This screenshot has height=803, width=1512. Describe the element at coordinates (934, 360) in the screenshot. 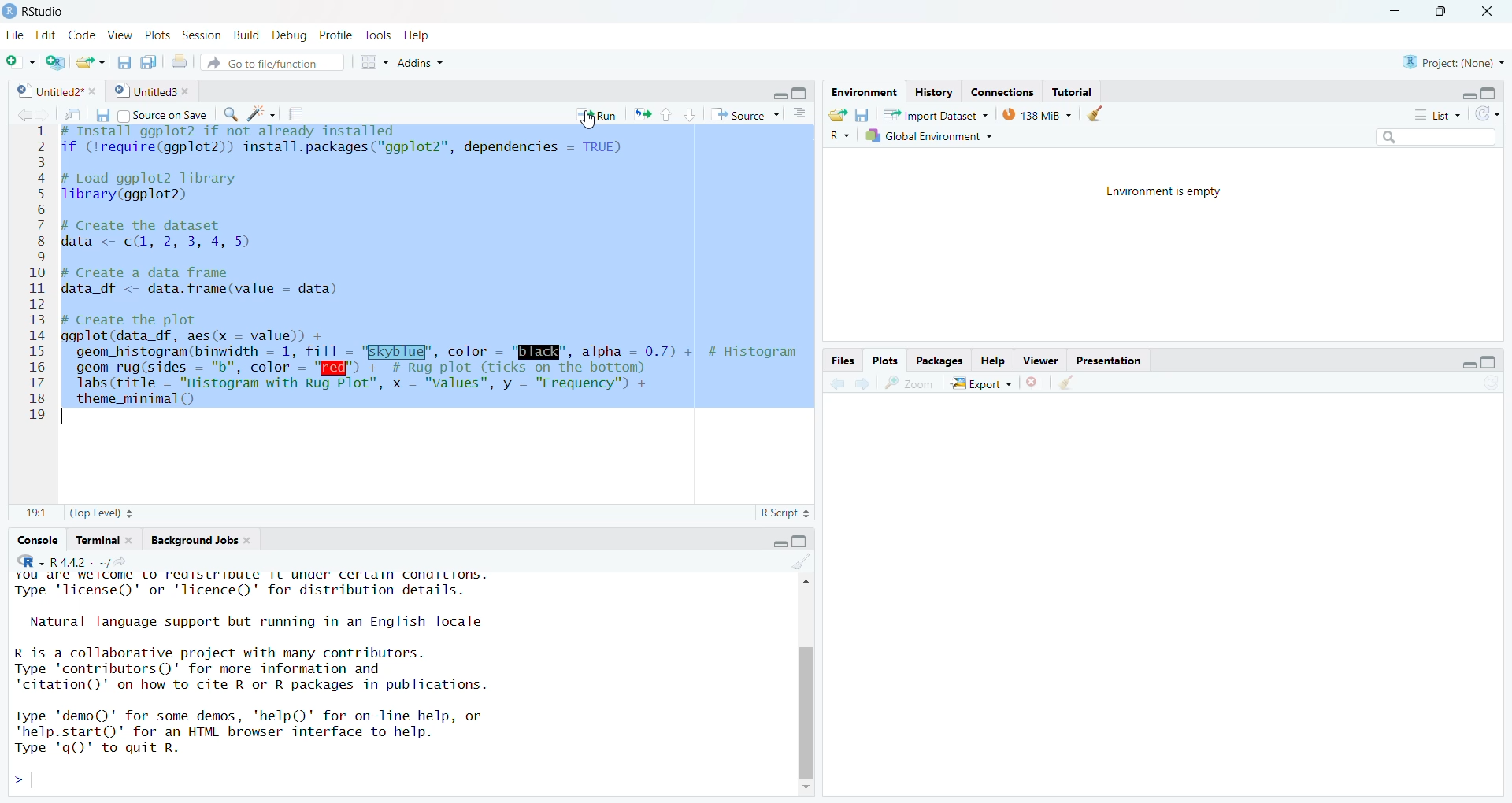

I see `Packages` at that location.